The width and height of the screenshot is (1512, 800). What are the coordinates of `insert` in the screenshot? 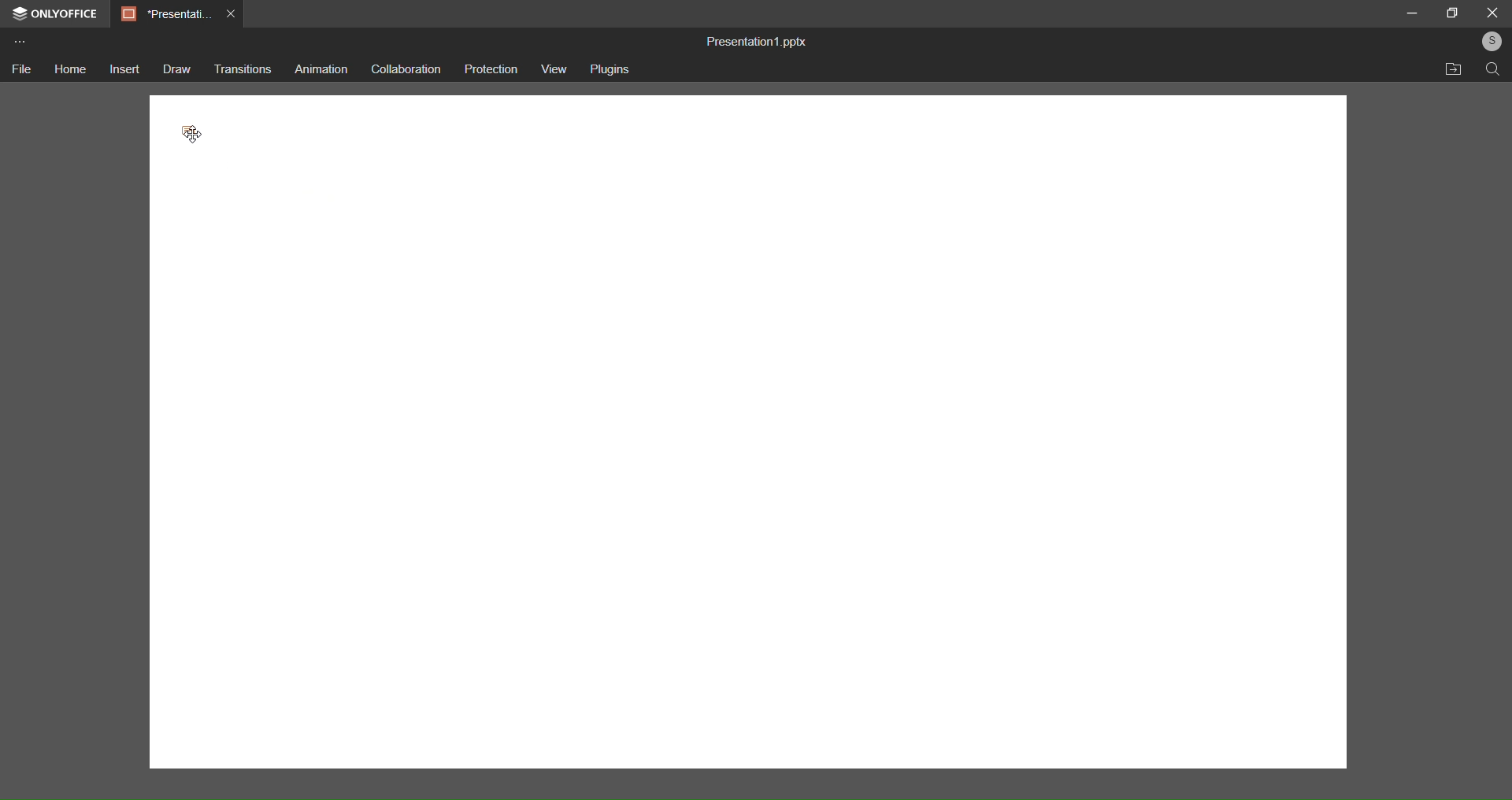 It's located at (123, 69).